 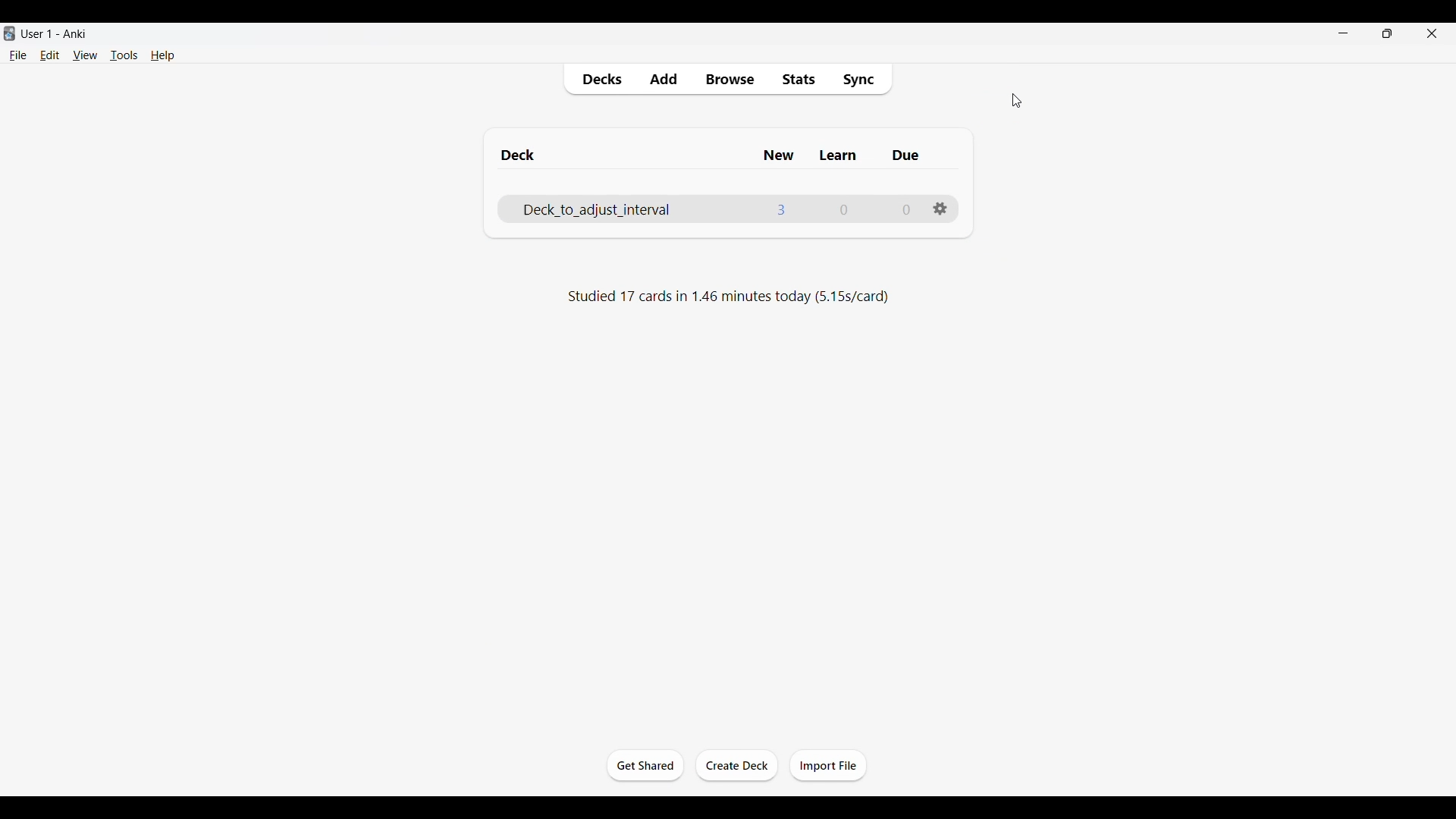 What do you see at coordinates (124, 55) in the screenshot?
I see `Tools menu` at bounding box center [124, 55].